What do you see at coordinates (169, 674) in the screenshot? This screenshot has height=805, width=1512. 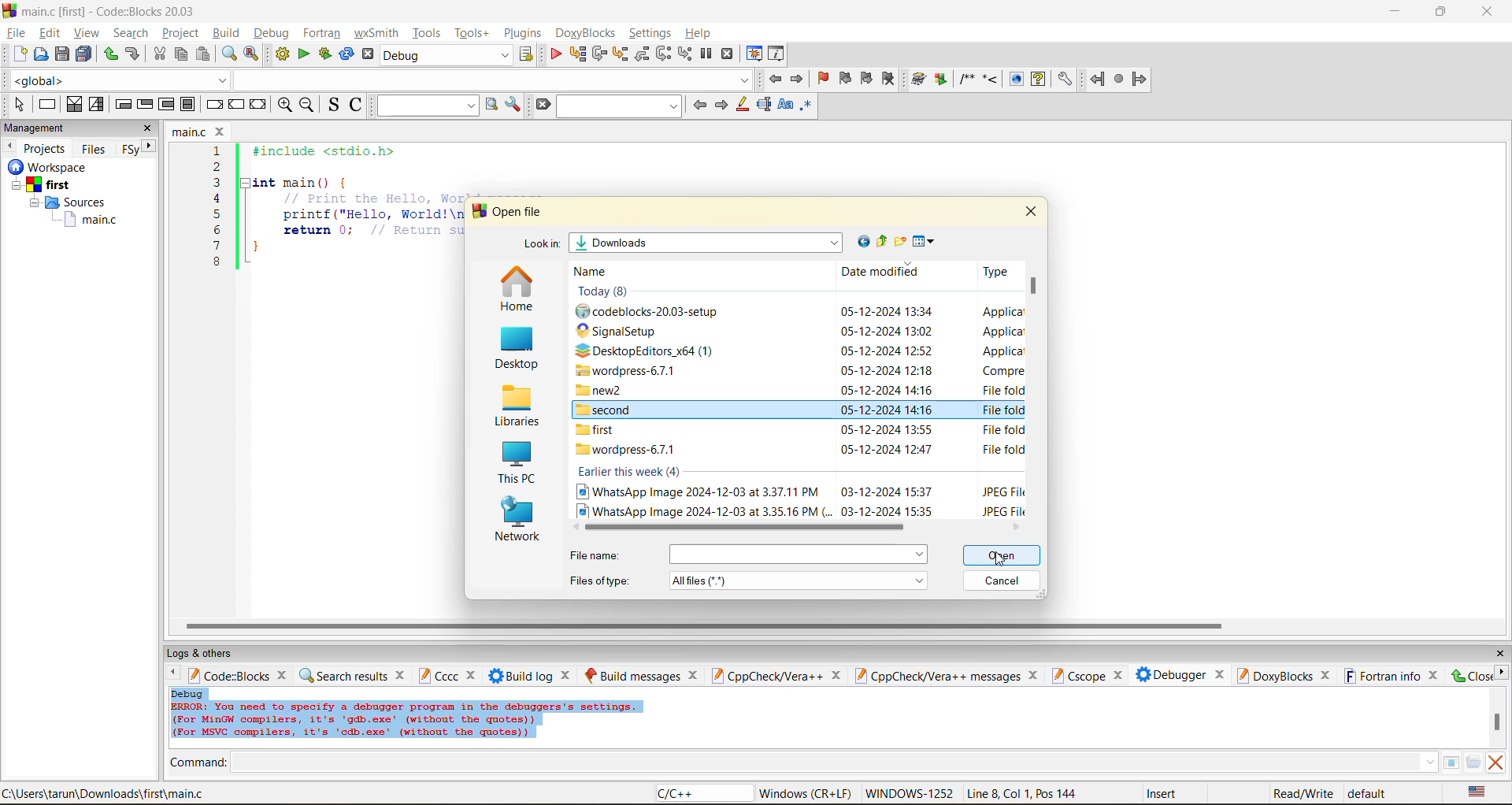 I see `previous` at bounding box center [169, 674].